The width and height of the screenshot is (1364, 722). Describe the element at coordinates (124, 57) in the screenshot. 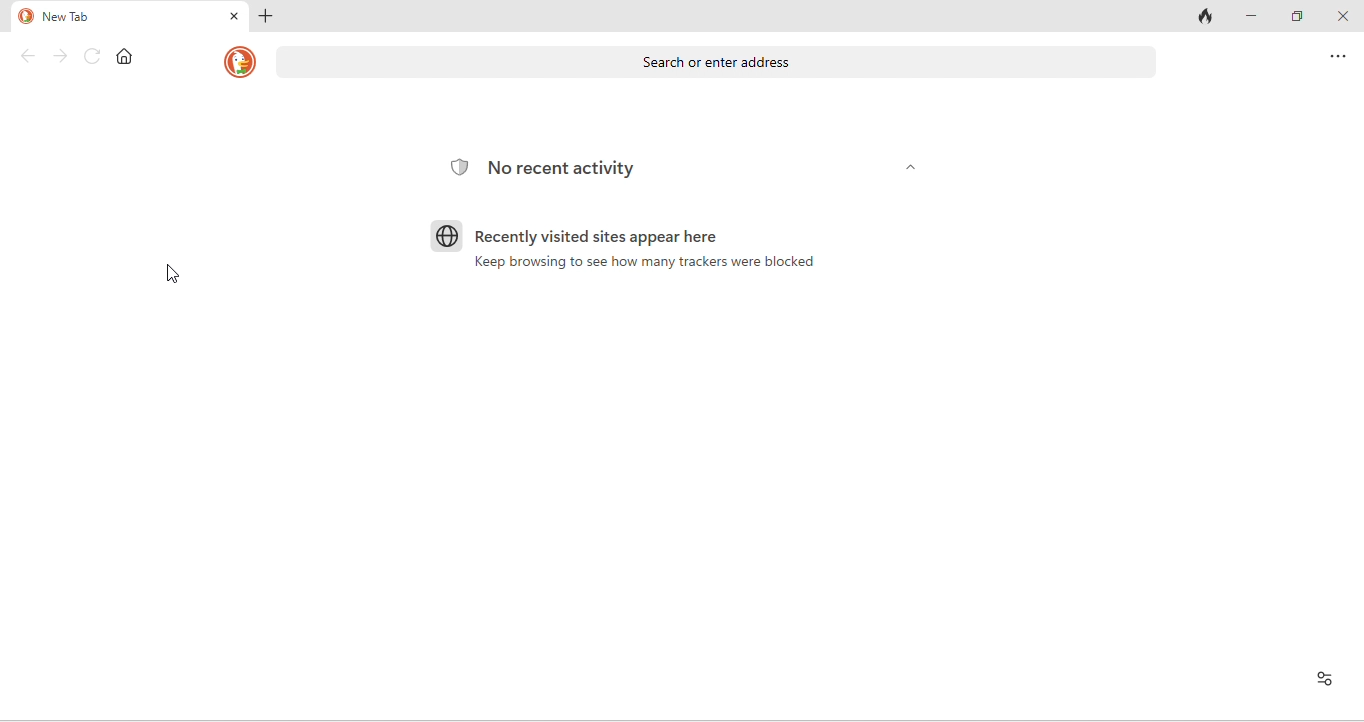

I see `home` at that location.